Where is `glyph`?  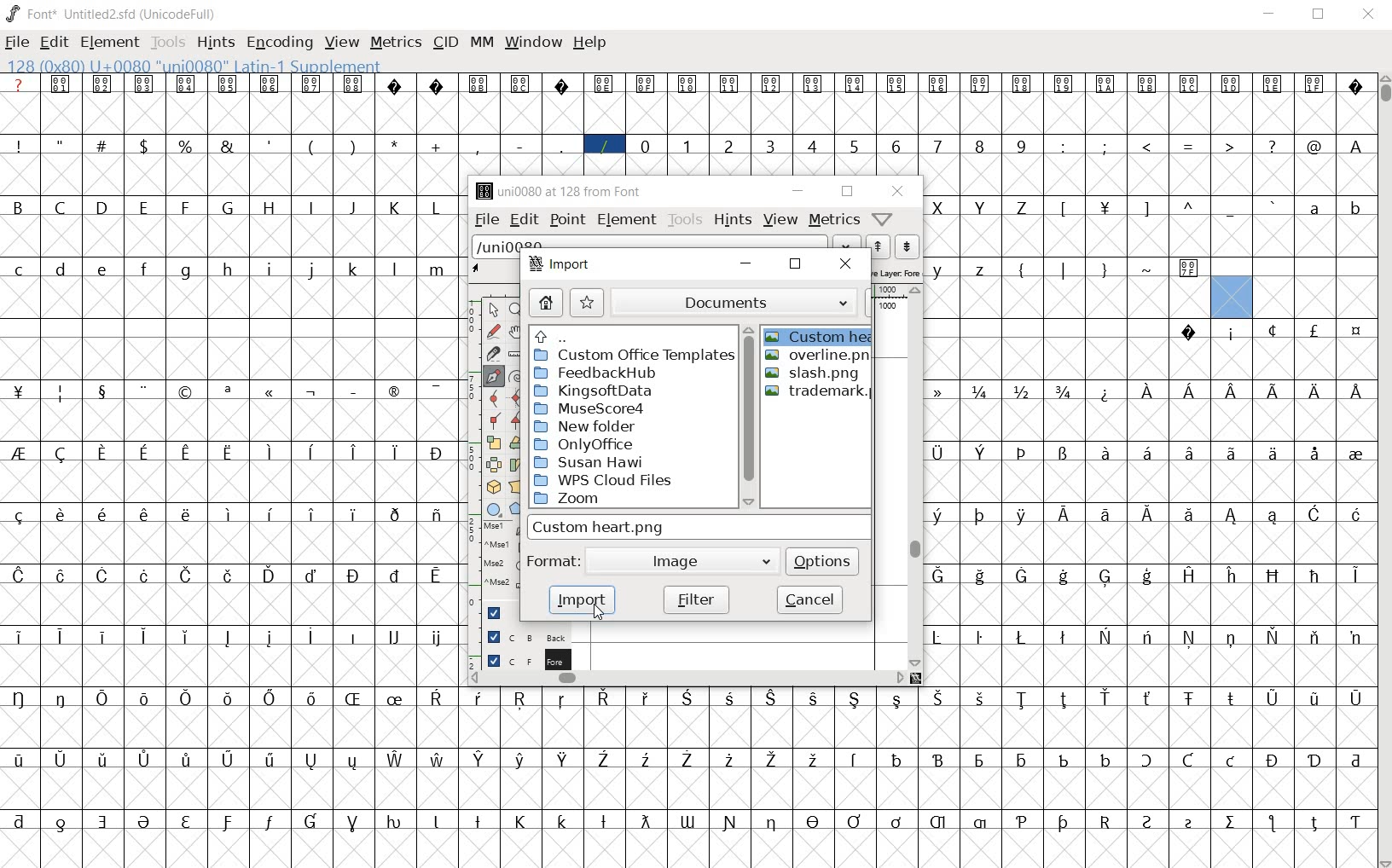
glyph is located at coordinates (310, 514).